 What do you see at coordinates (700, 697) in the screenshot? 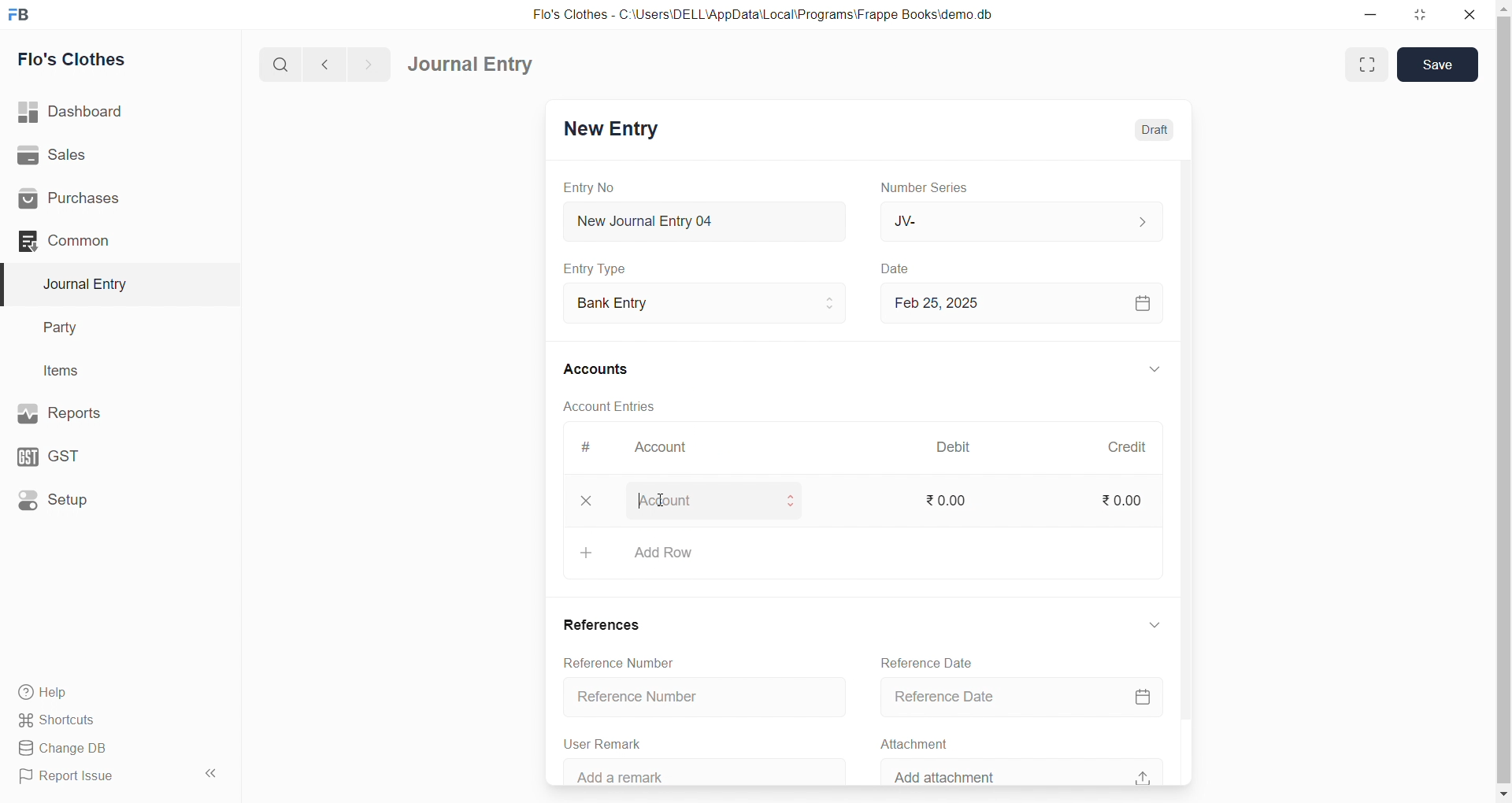
I see `Reference Number` at bounding box center [700, 697].